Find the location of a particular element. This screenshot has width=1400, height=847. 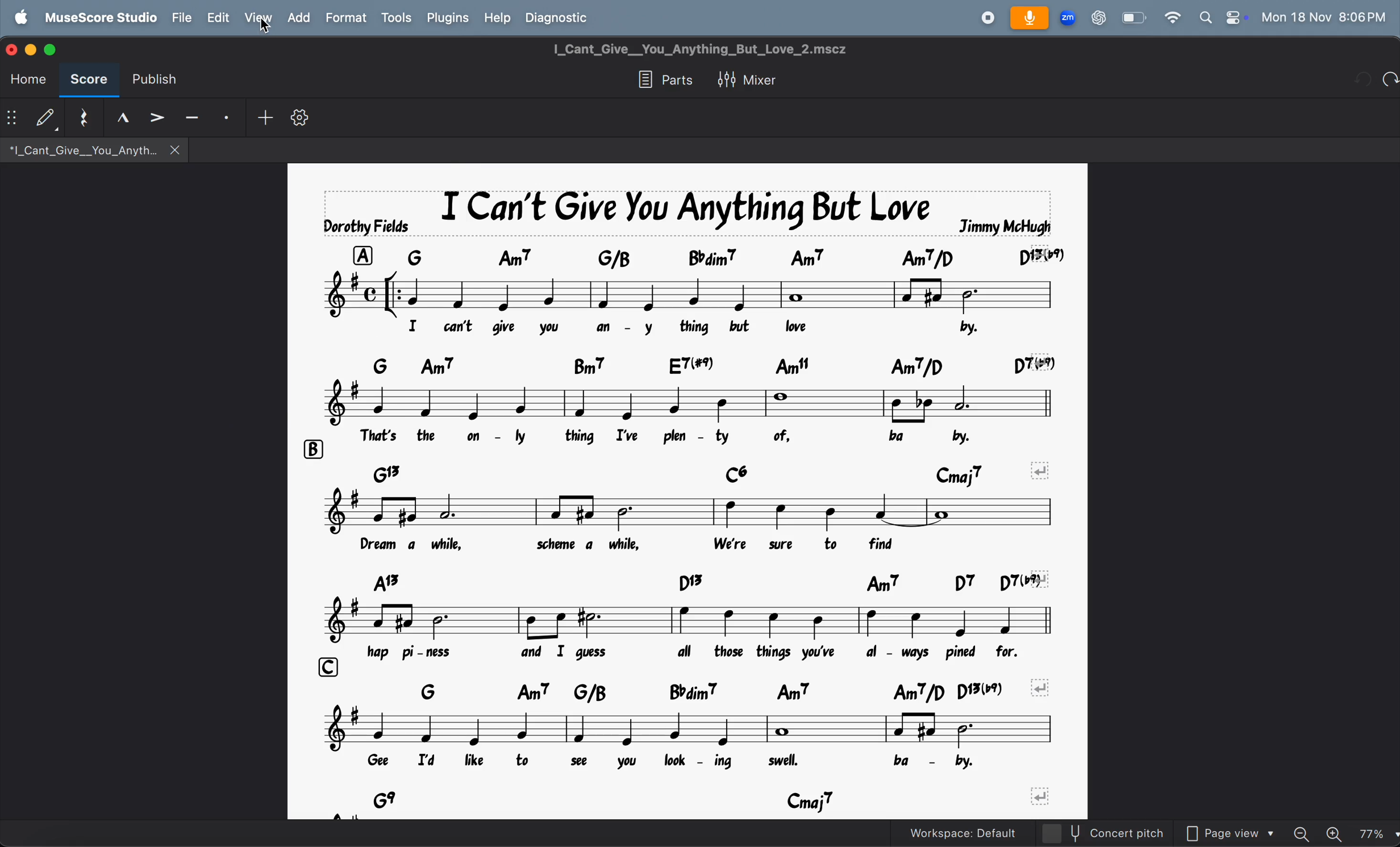

rows is located at coordinates (312, 449).